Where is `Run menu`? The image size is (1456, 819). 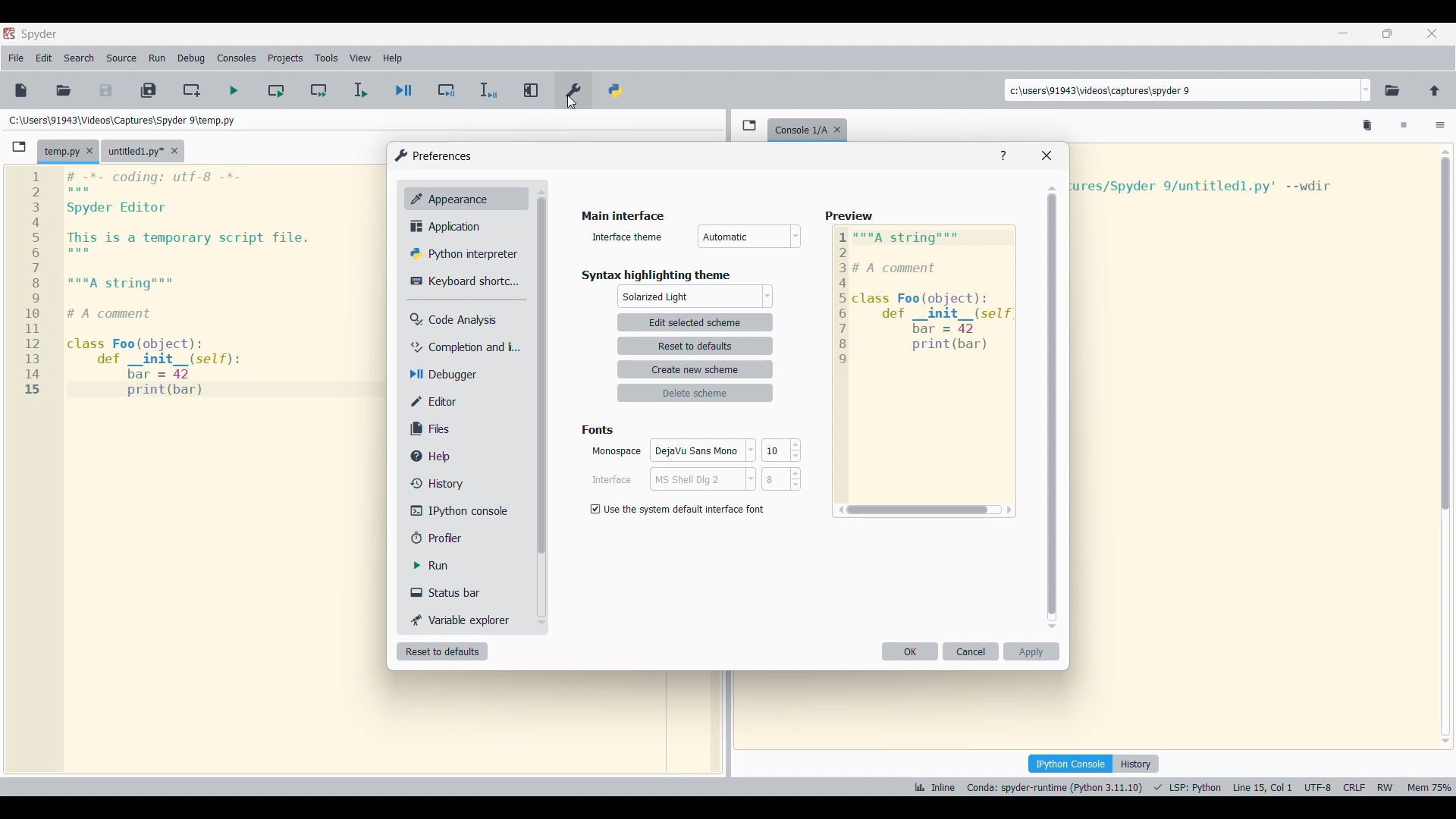 Run menu is located at coordinates (158, 58).